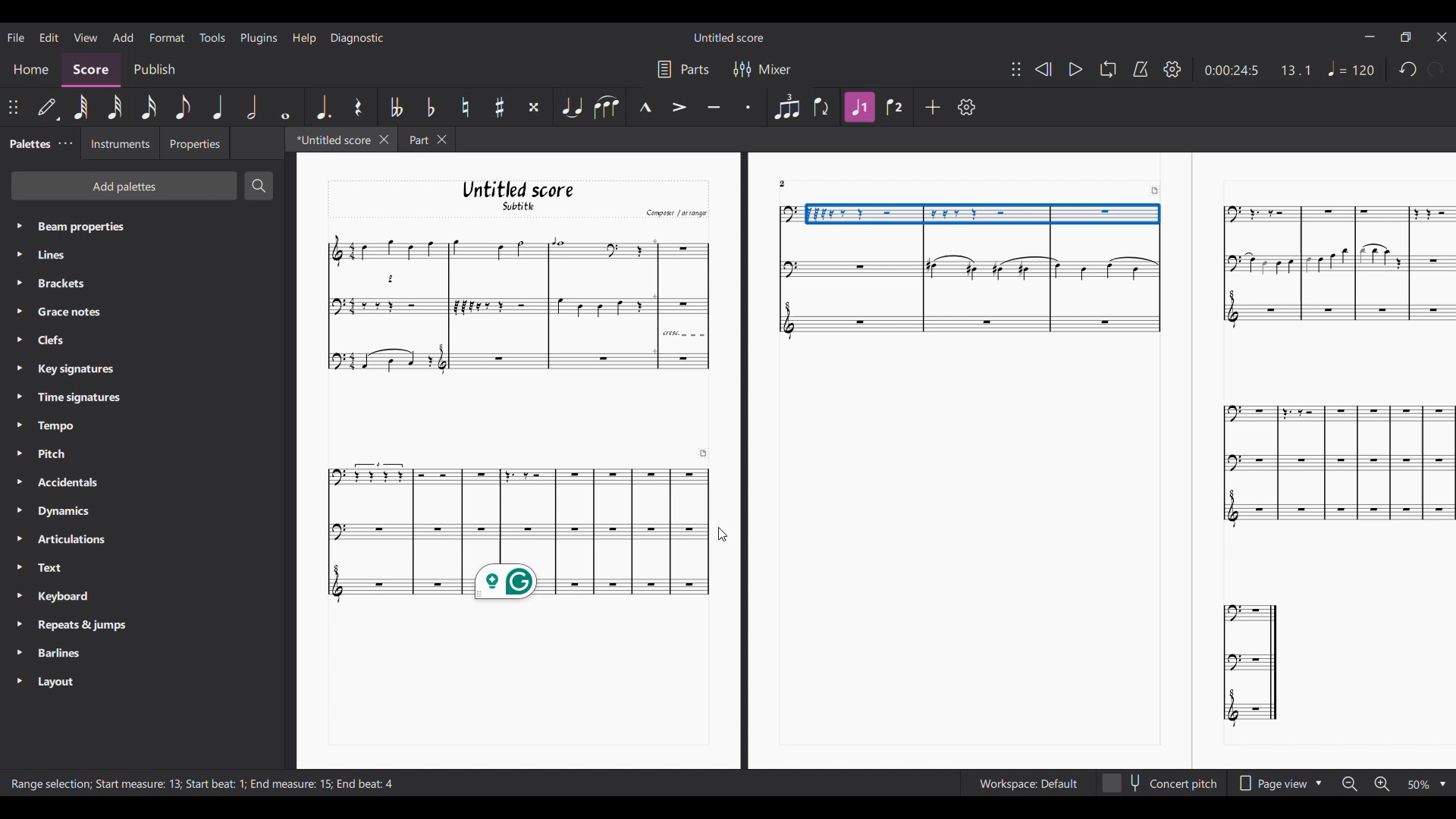  What do you see at coordinates (65, 682) in the screenshot?
I see `> Layout` at bounding box center [65, 682].